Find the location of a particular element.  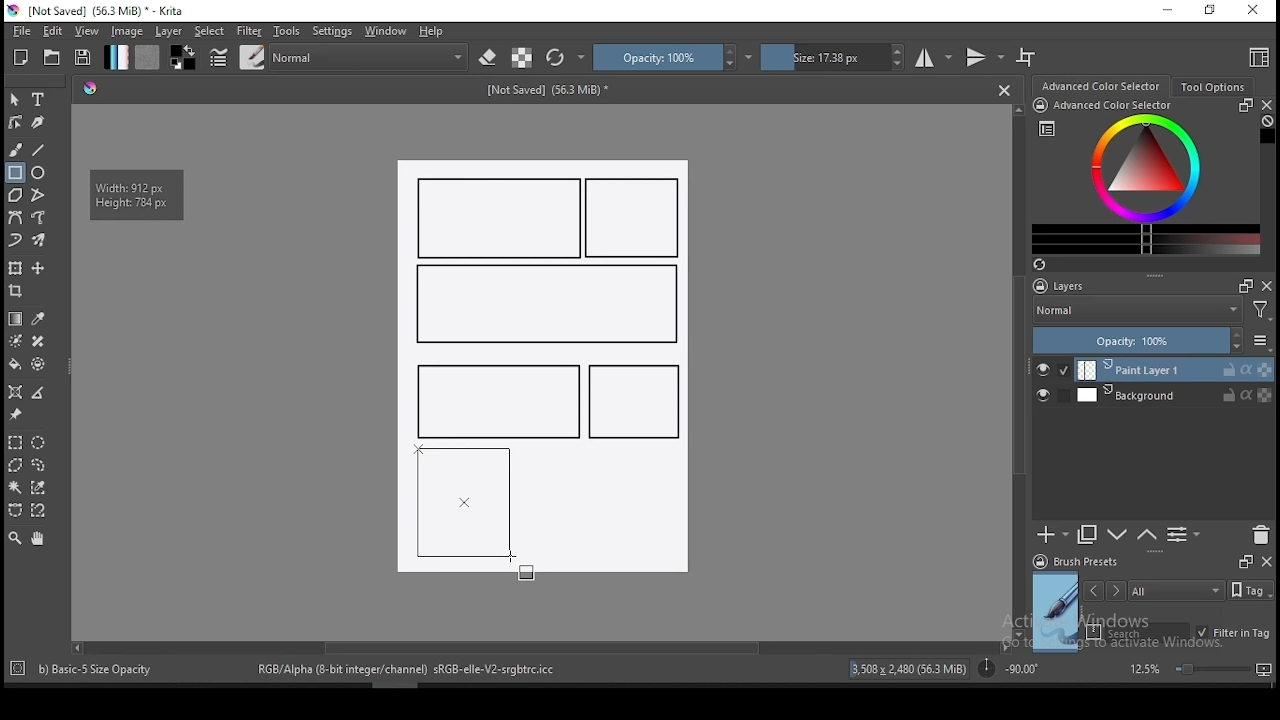

layers is located at coordinates (1065, 287).